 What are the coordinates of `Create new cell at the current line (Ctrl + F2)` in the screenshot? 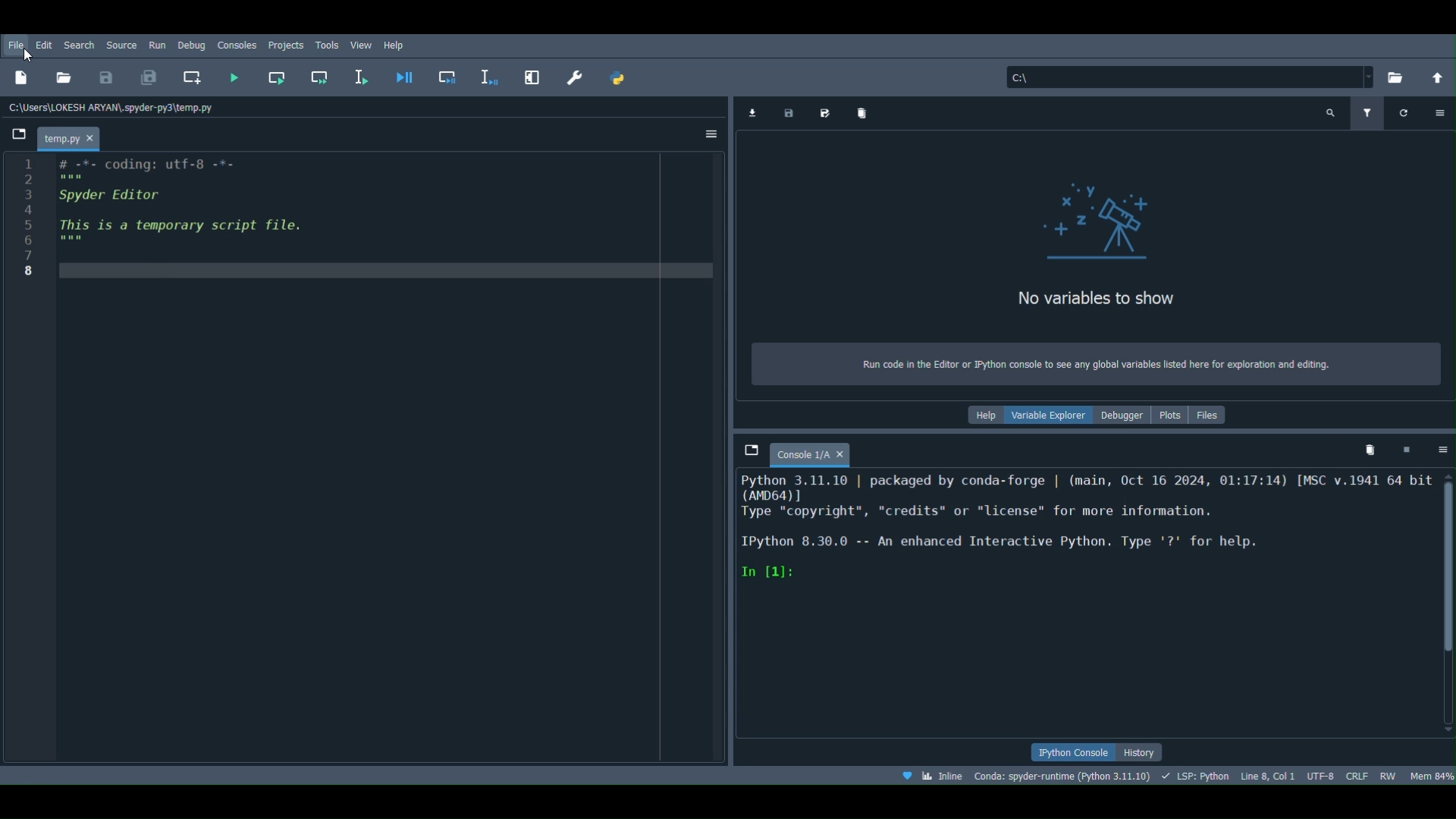 It's located at (193, 80).